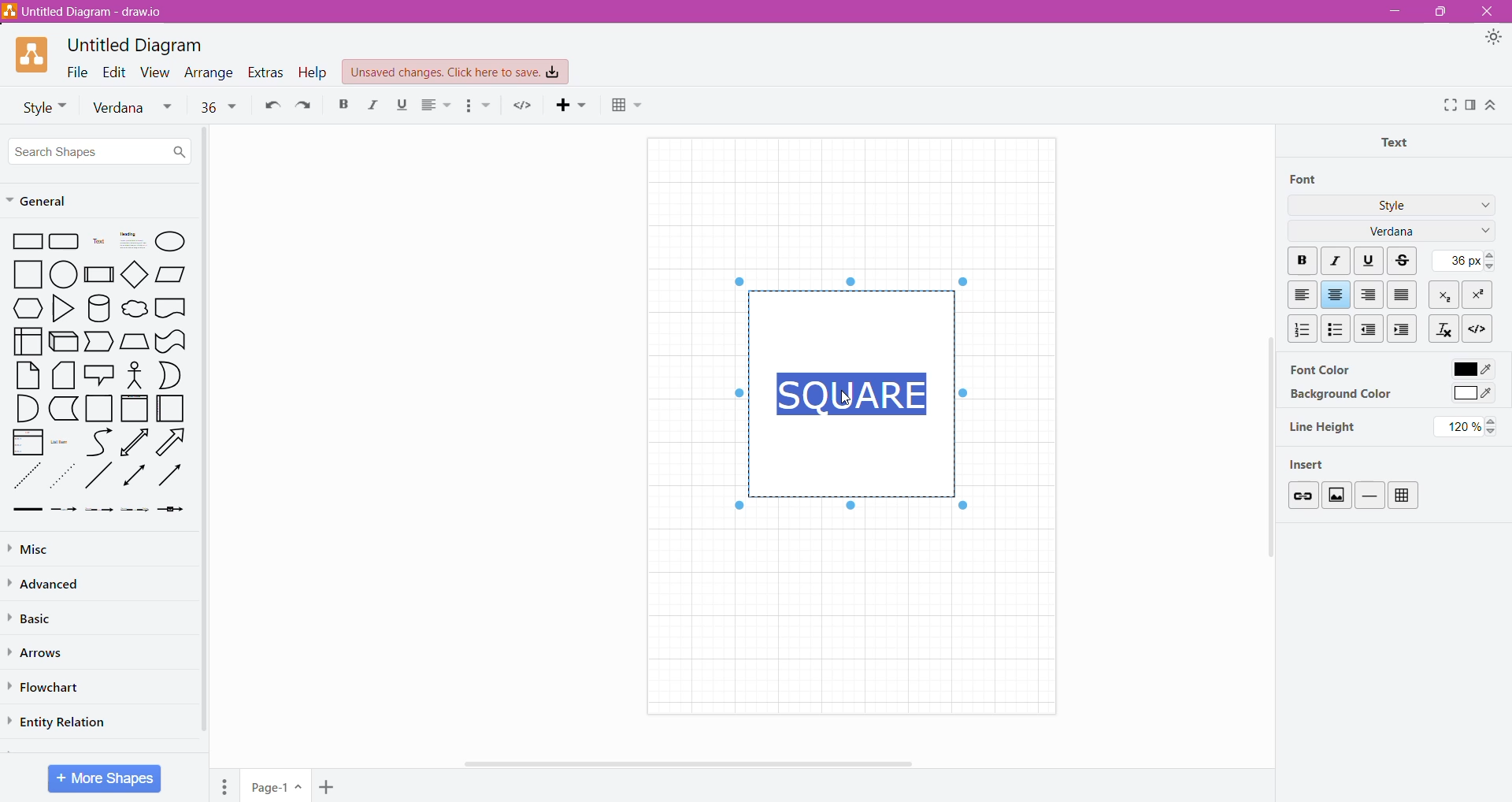  I want to click on Clear Formatting, so click(1443, 328).